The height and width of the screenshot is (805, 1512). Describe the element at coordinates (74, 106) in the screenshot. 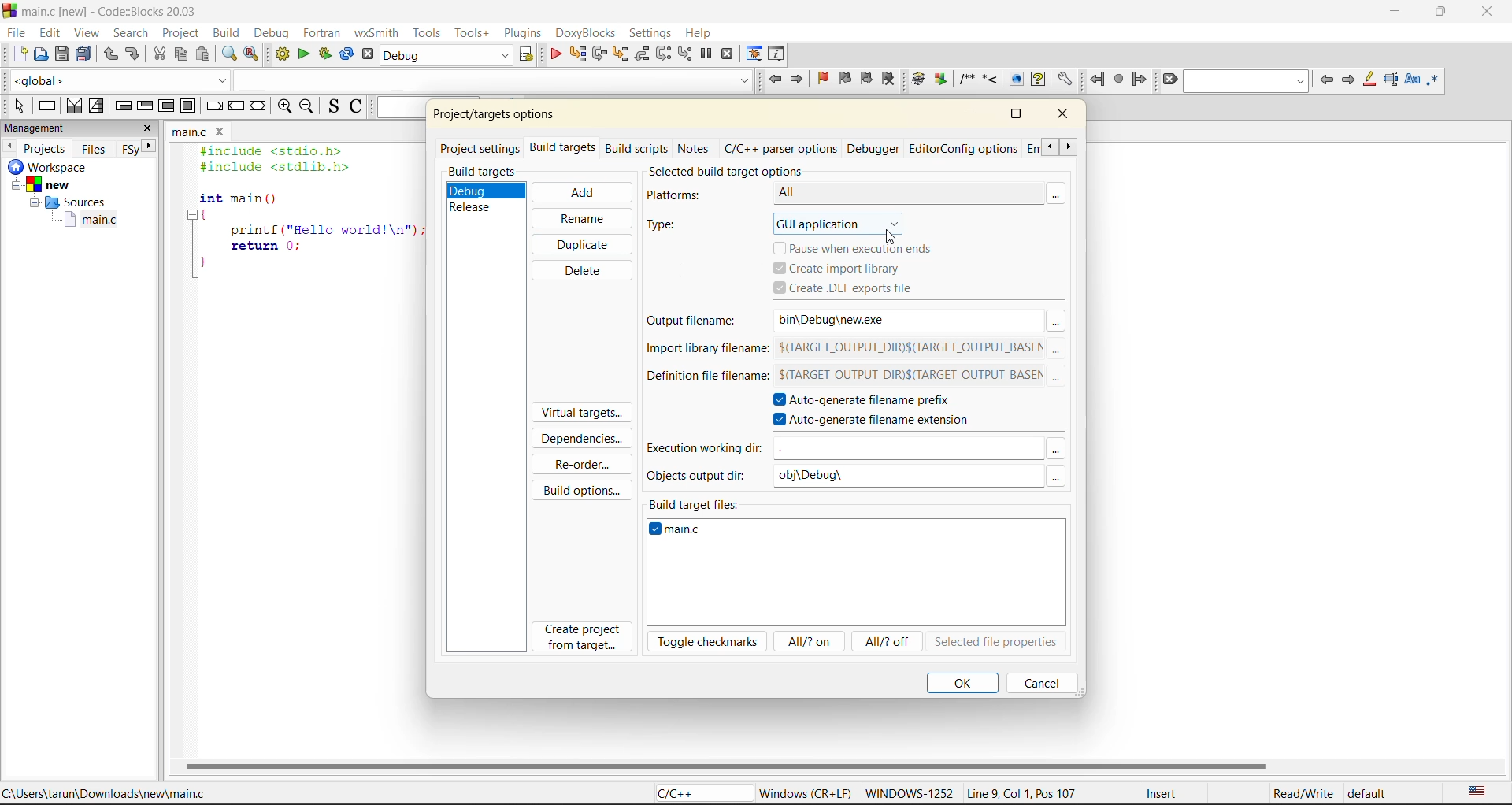

I see `decision` at that location.